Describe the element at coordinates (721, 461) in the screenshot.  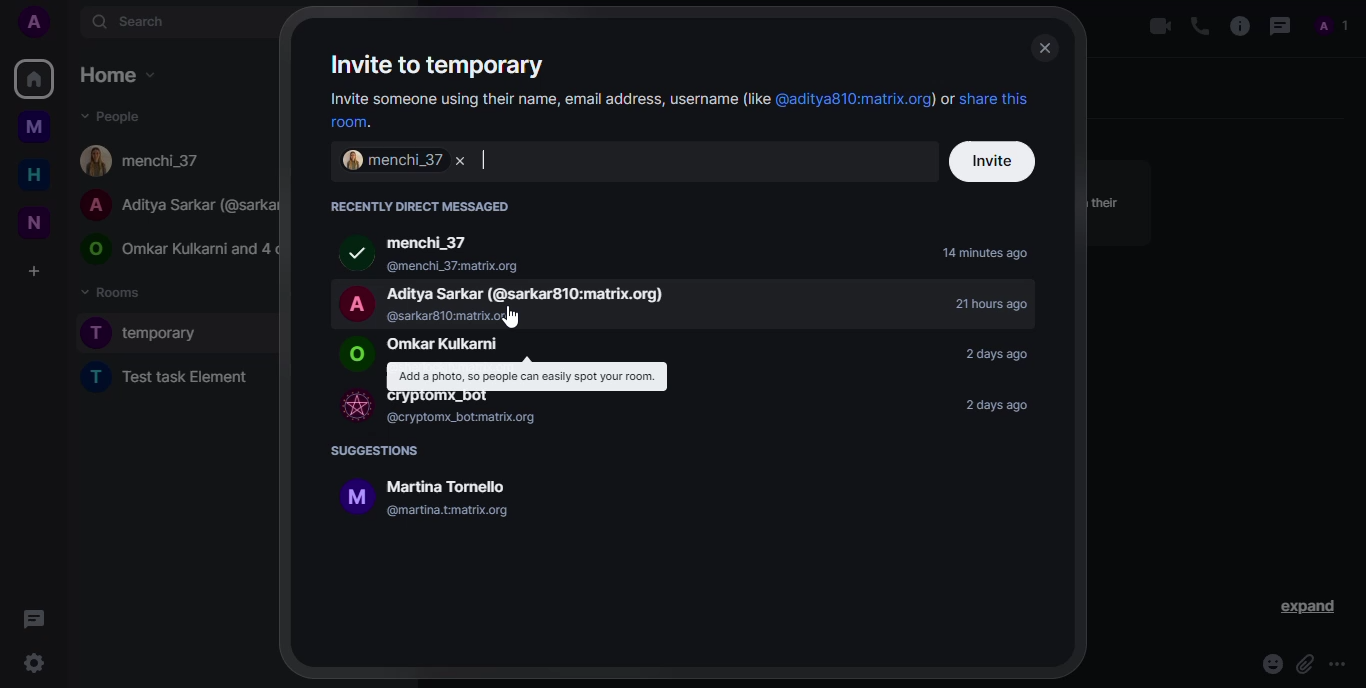
I see `info` at that location.